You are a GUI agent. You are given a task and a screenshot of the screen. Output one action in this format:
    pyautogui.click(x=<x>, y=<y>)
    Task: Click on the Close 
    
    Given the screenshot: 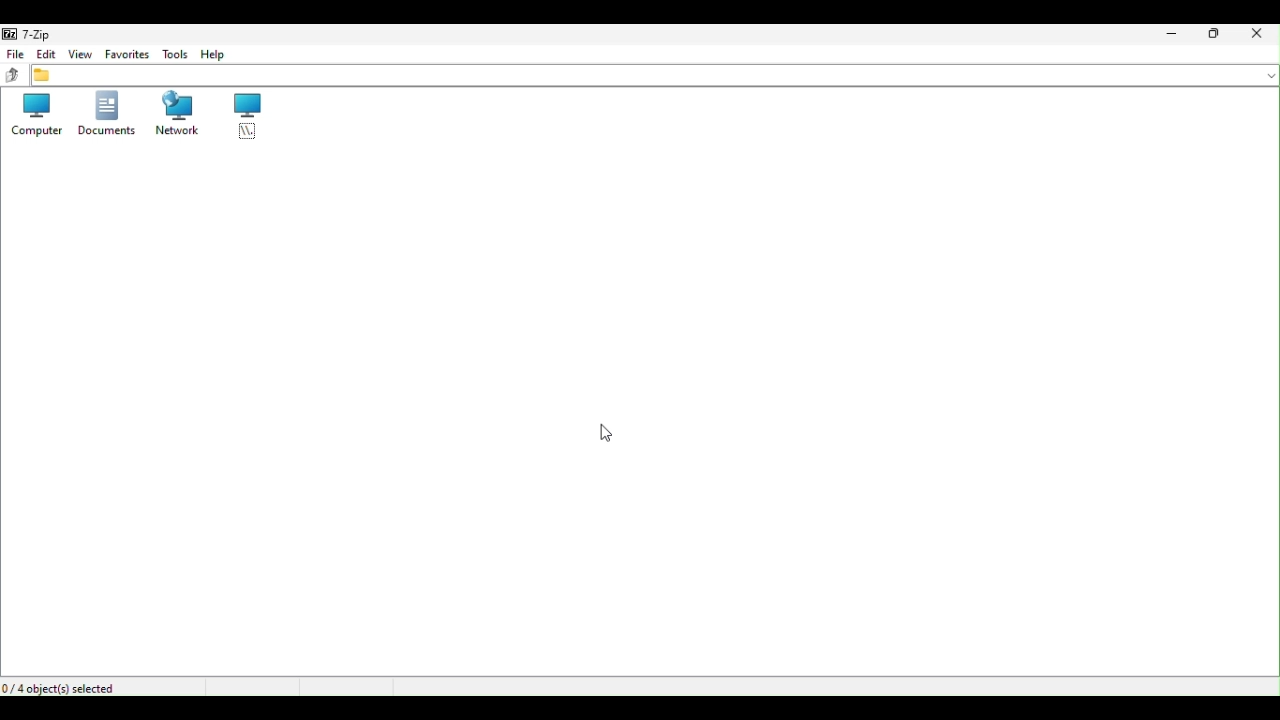 What is the action you would take?
    pyautogui.click(x=1259, y=36)
    